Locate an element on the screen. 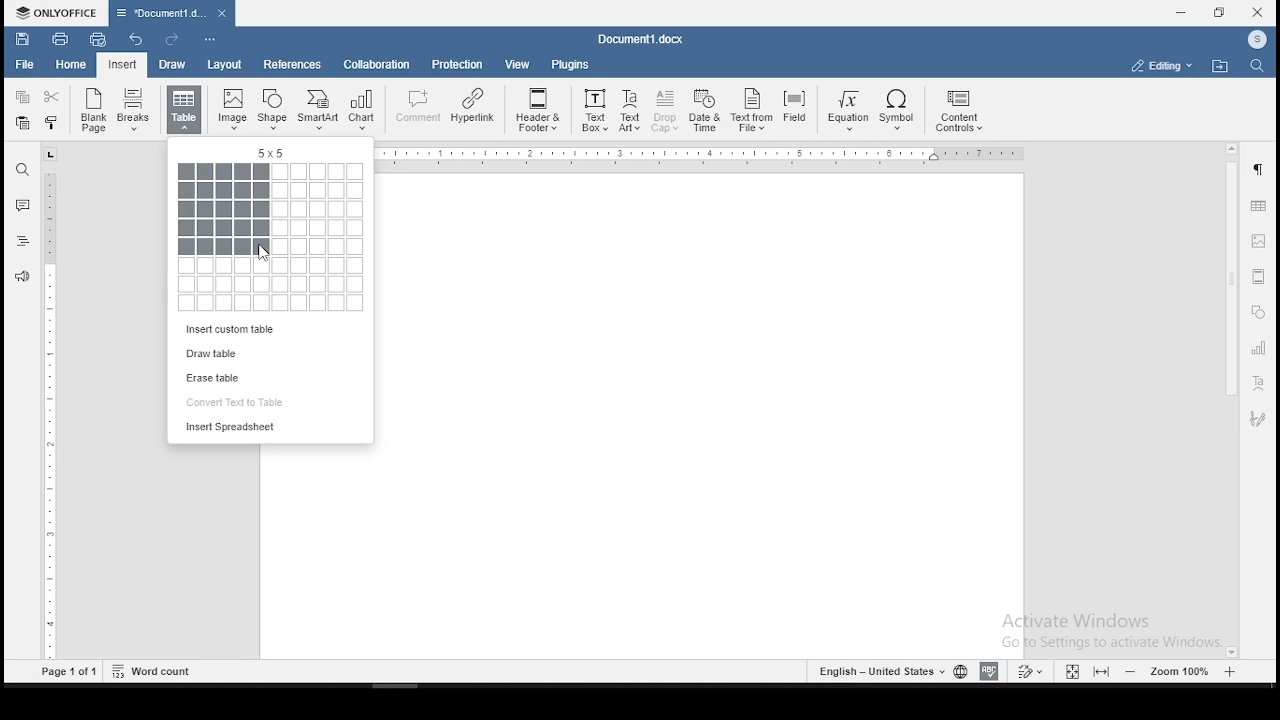  charts settings is located at coordinates (1260, 348).